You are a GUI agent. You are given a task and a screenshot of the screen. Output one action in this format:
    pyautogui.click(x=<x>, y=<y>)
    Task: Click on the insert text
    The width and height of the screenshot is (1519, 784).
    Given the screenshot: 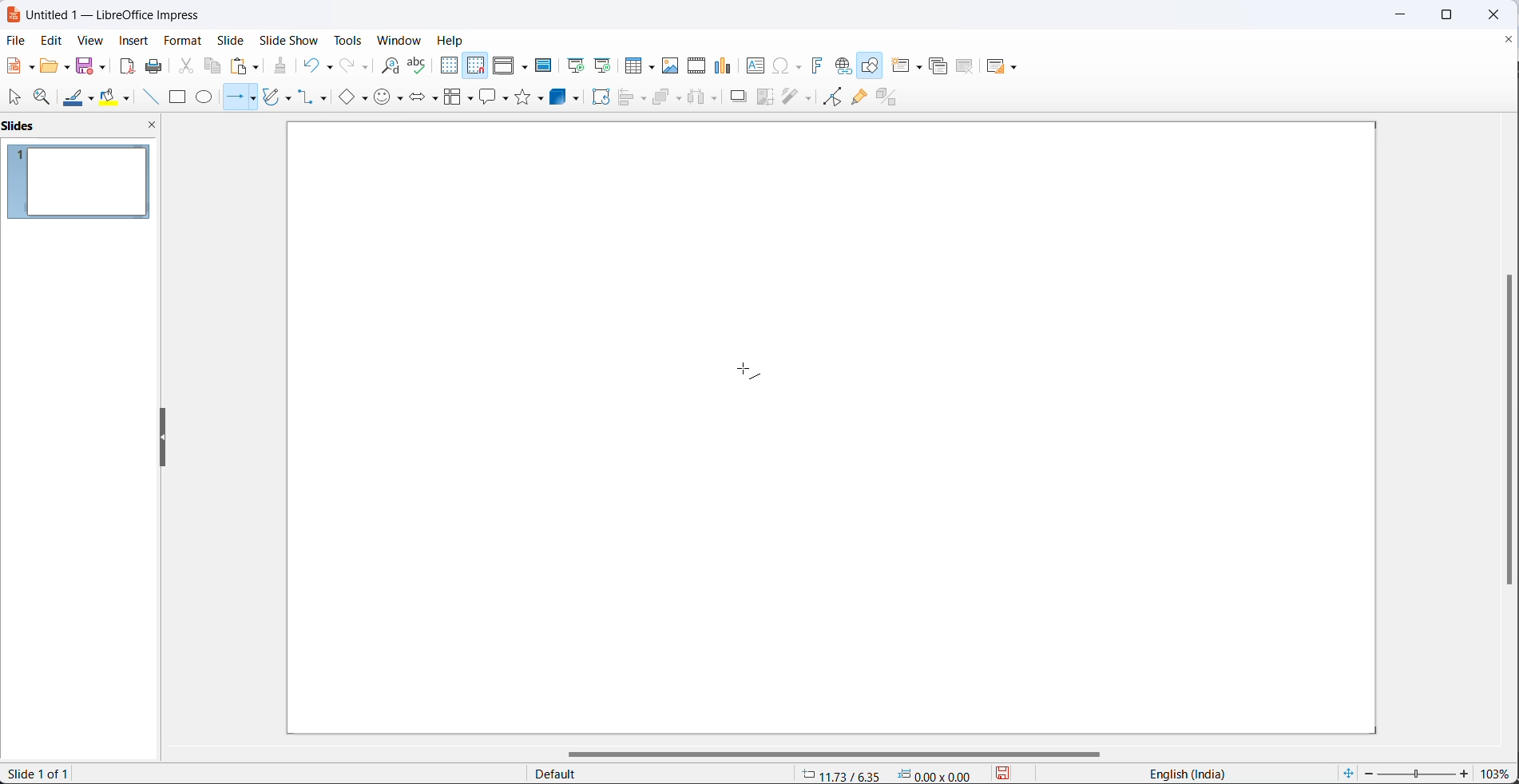 What is the action you would take?
    pyautogui.click(x=752, y=65)
    